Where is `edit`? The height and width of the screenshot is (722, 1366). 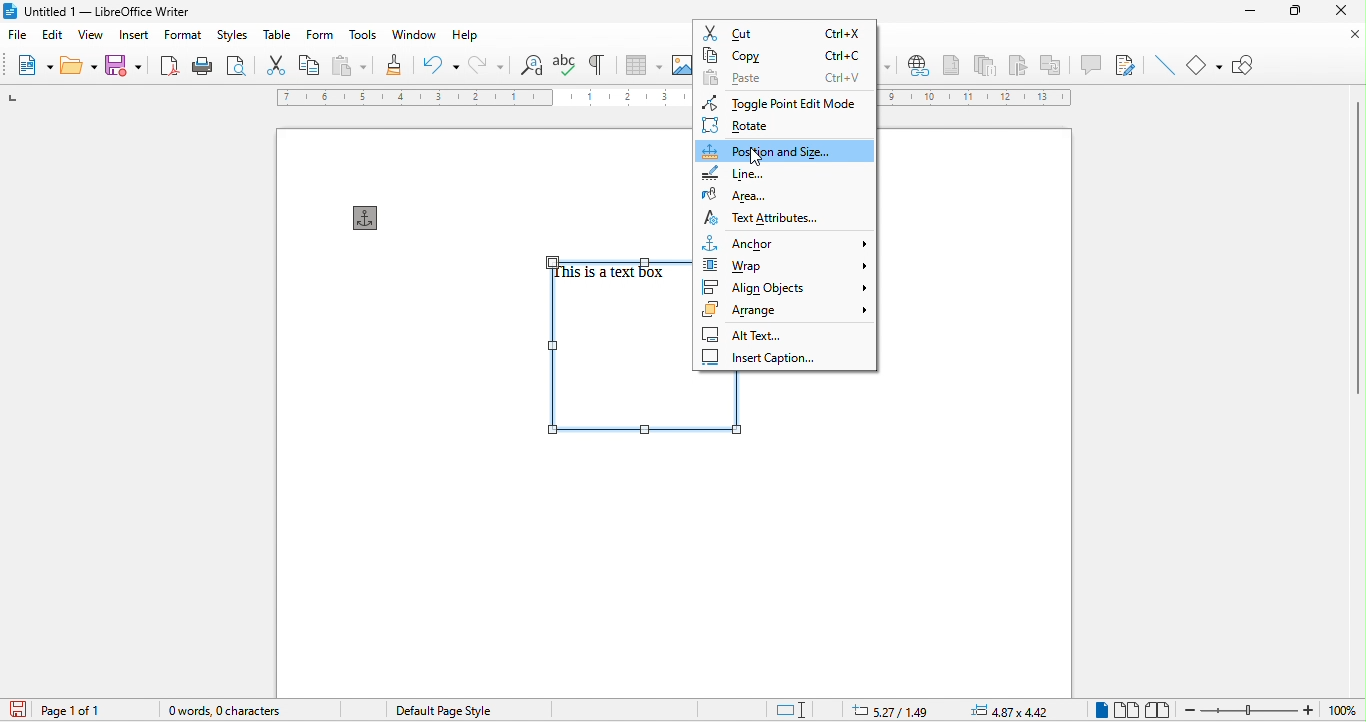 edit is located at coordinates (55, 35).